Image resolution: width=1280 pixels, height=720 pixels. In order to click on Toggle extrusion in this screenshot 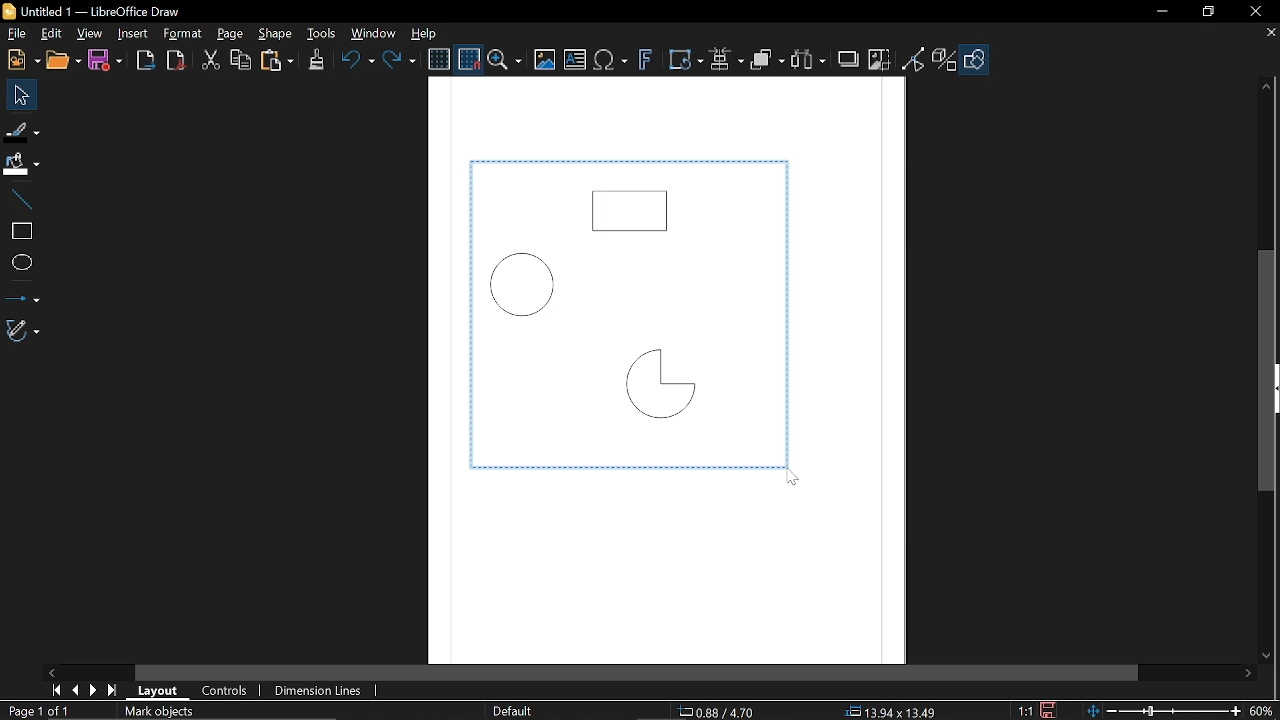, I will do `click(942, 61)`.